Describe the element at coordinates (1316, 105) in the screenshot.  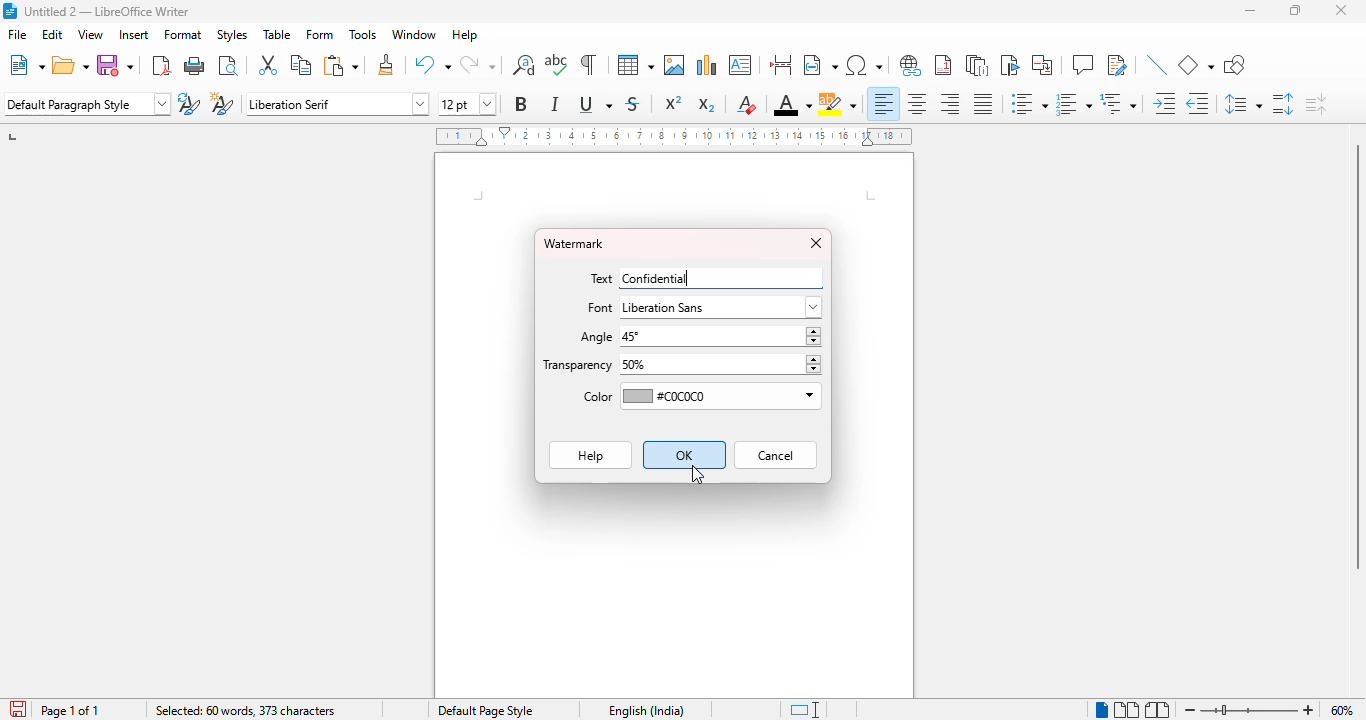
I see `decrease paragraph spacing` at that location.